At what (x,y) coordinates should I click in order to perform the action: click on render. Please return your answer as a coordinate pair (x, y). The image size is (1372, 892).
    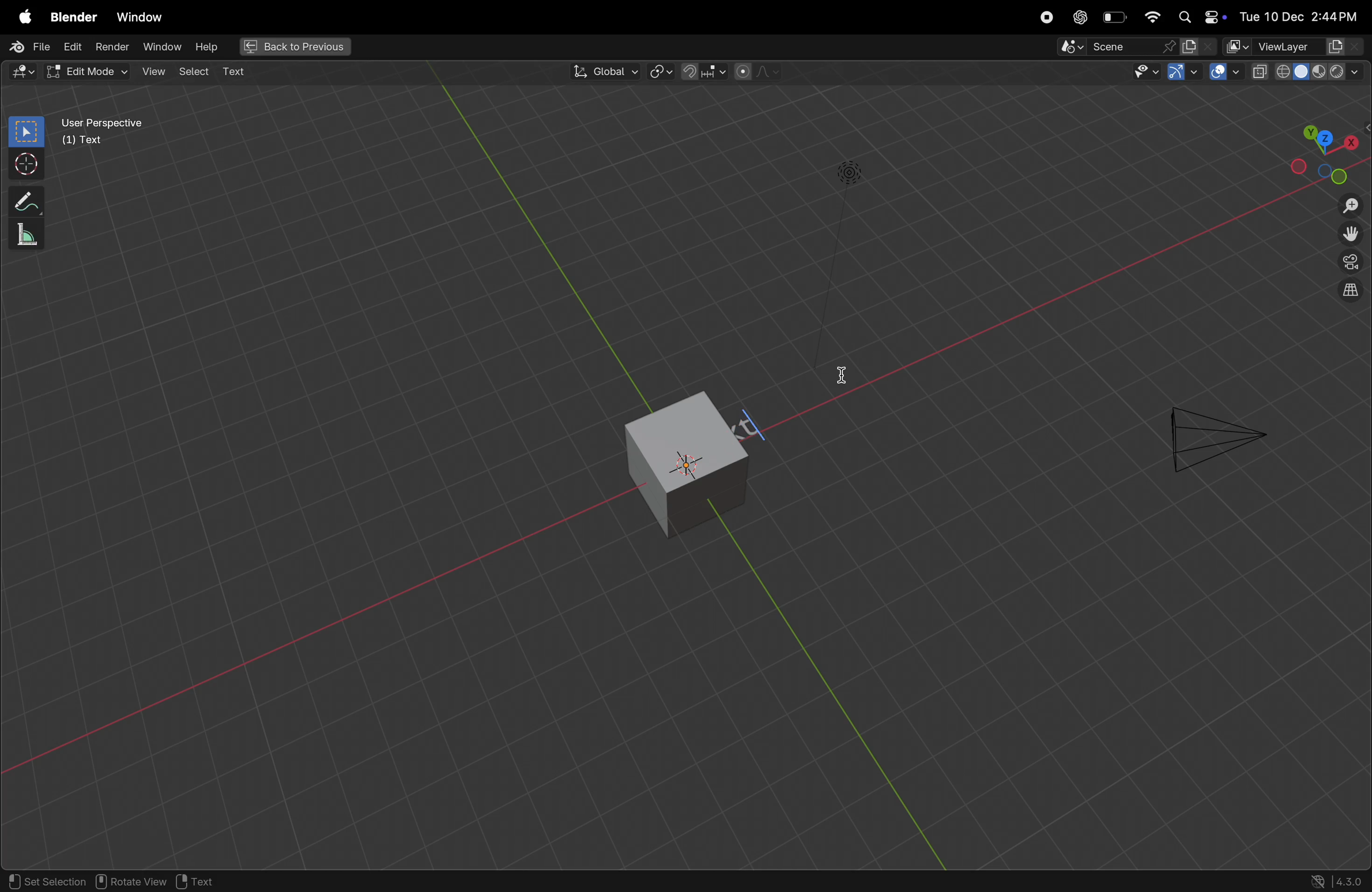
    Looking at the image, I should click on (112, 47).